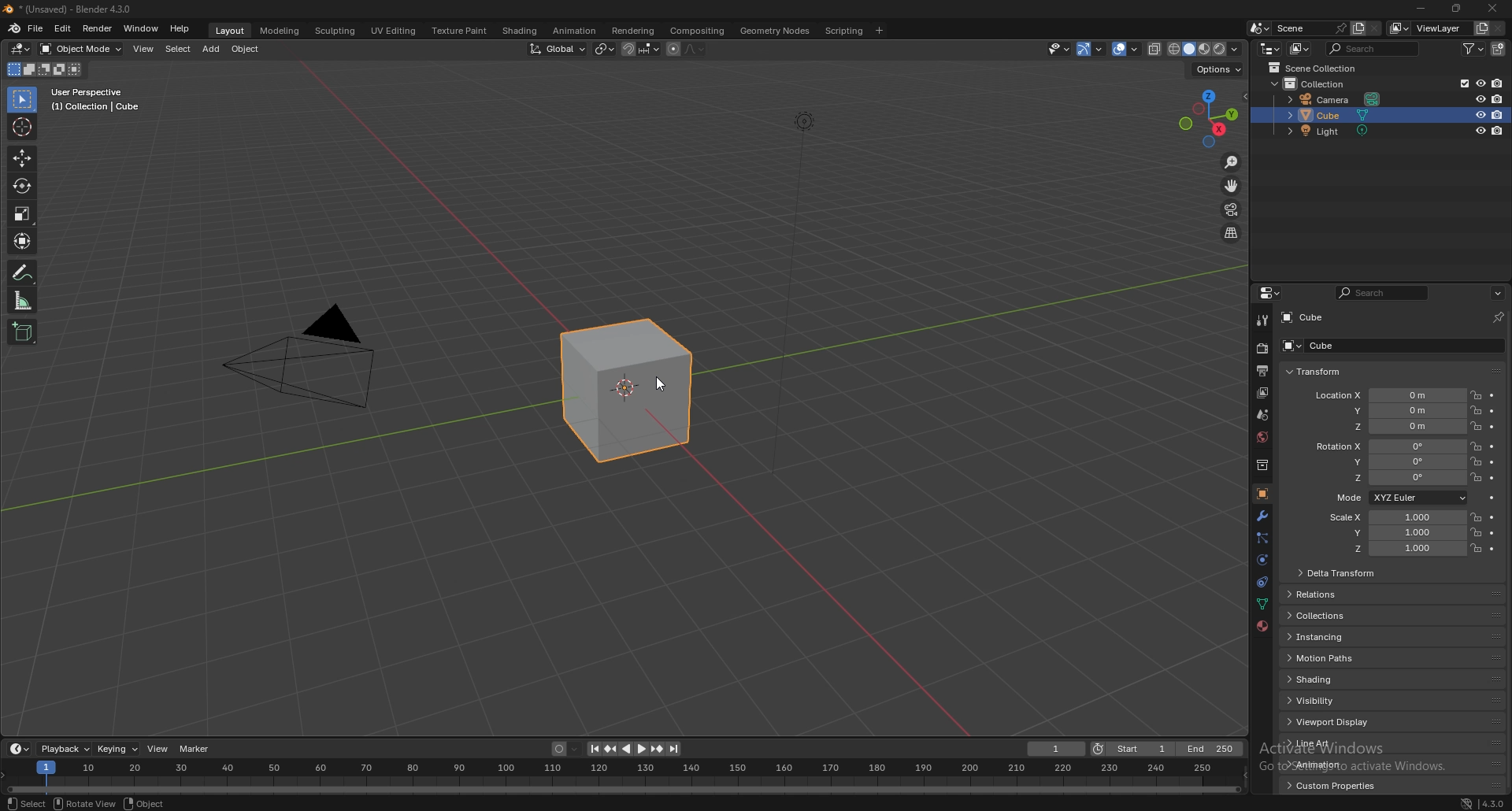 The image size is (1512, 811). What do you see at coordinates (1333, 98) in the screenshot?
I see `camera` at bounding box center [1333, 98].